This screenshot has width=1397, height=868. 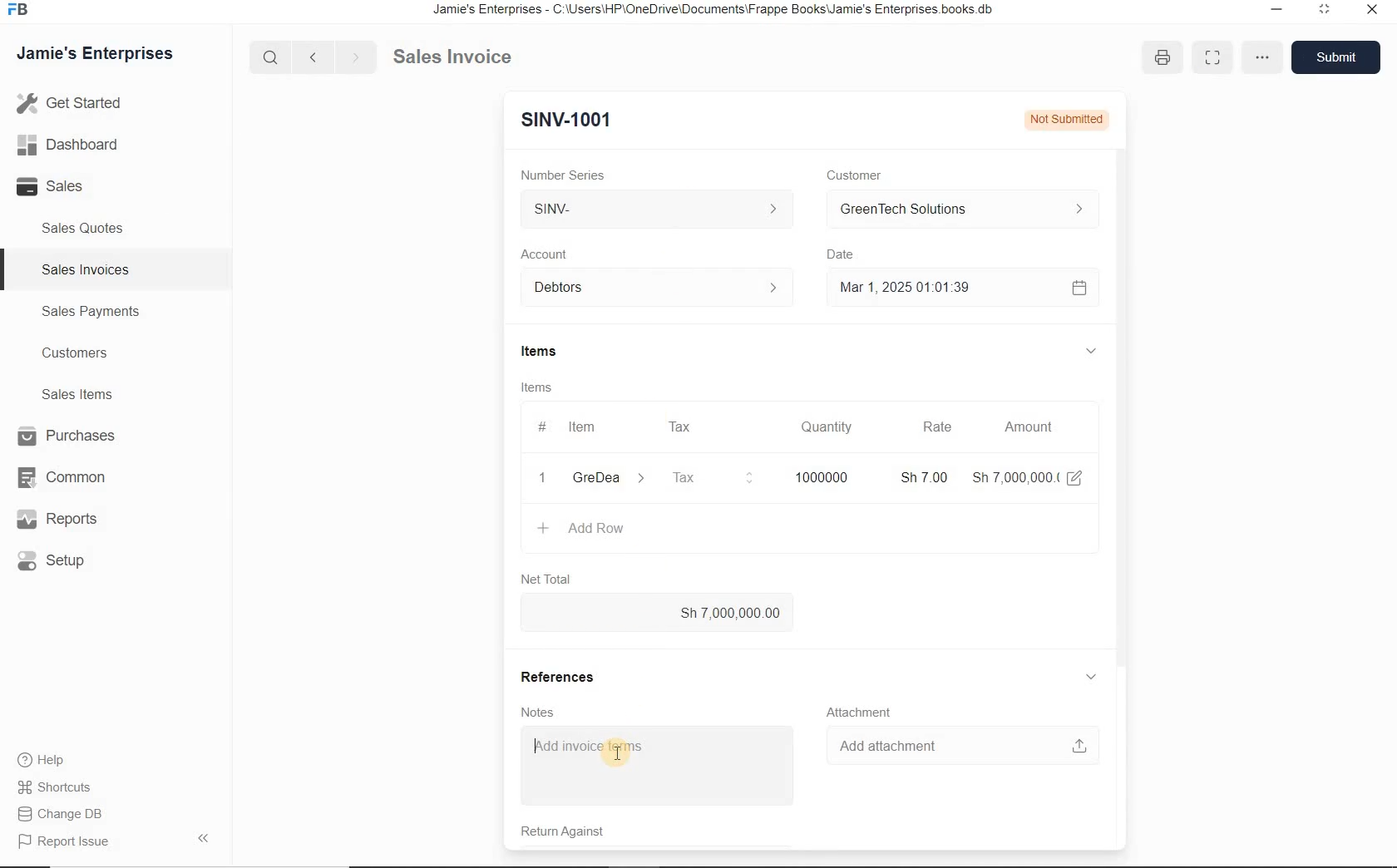 What do you see at coordinates (1163, 58) in the screenshot?
I see `print` at bounding box center [1163, 58].